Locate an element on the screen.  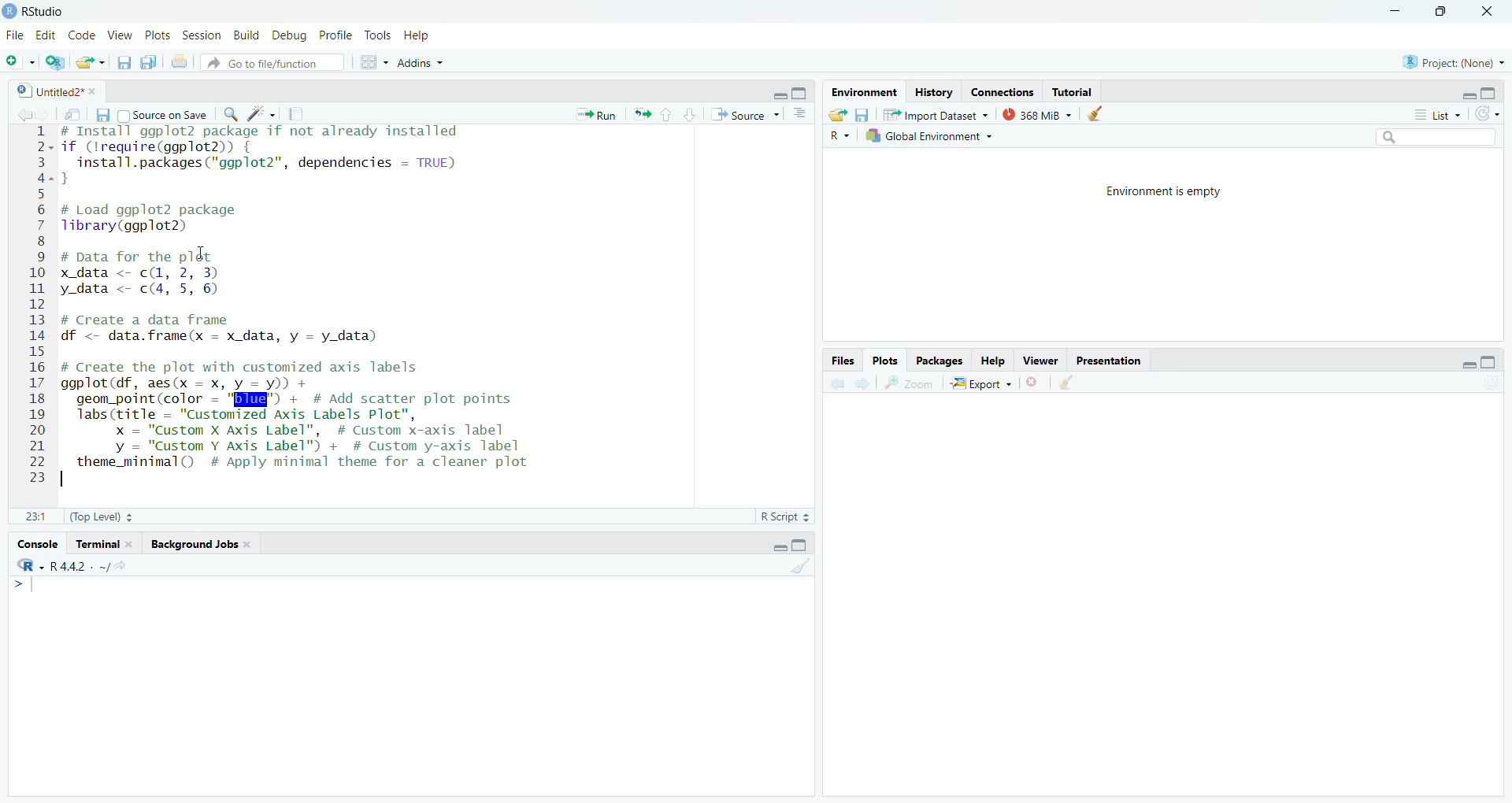
maximise is located at coordinates (1495, 91).